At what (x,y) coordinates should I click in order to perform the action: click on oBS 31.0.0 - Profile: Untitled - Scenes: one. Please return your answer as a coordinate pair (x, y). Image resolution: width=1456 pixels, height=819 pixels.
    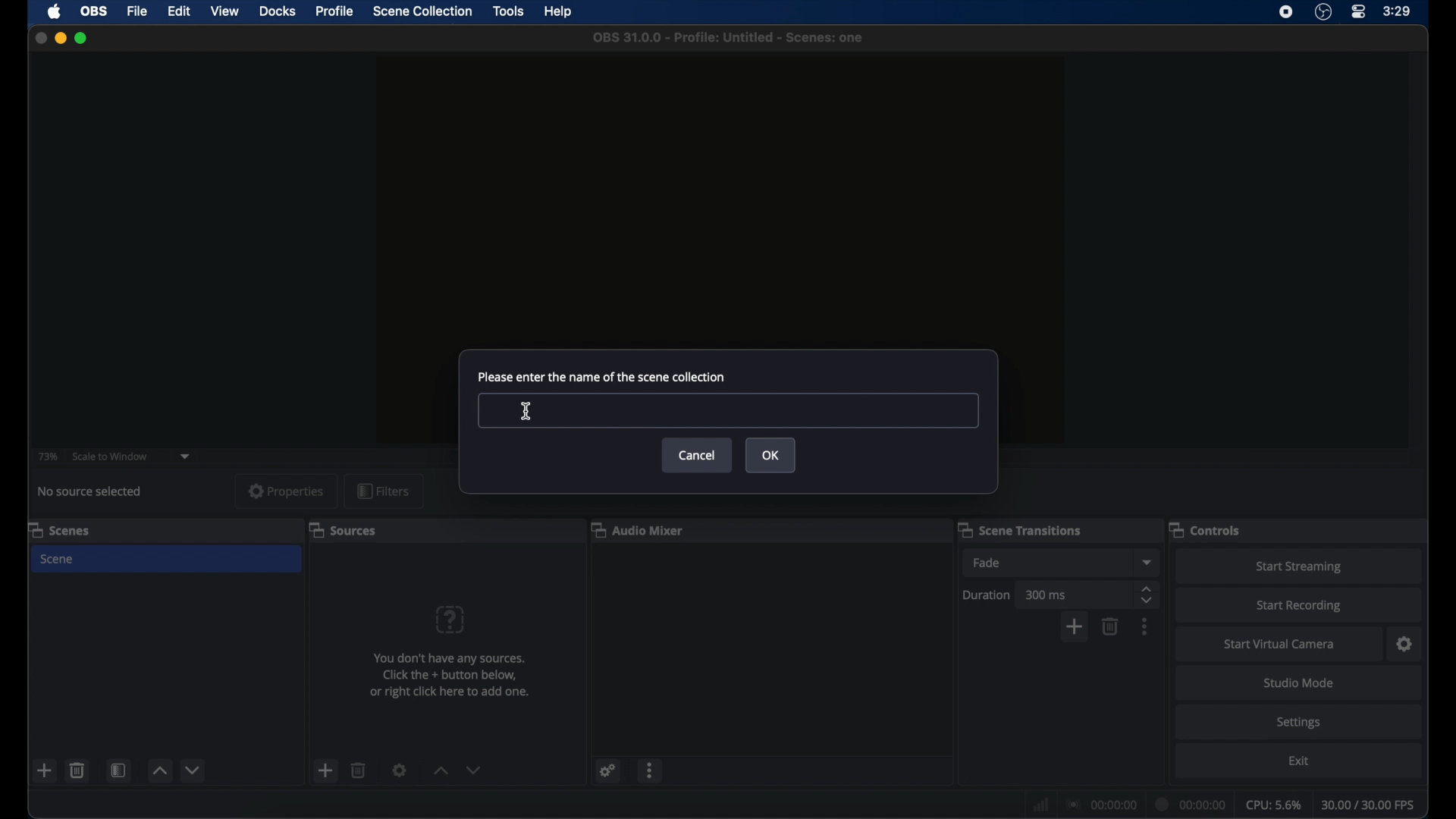
    Looking at the image, I should click on (730, 42).